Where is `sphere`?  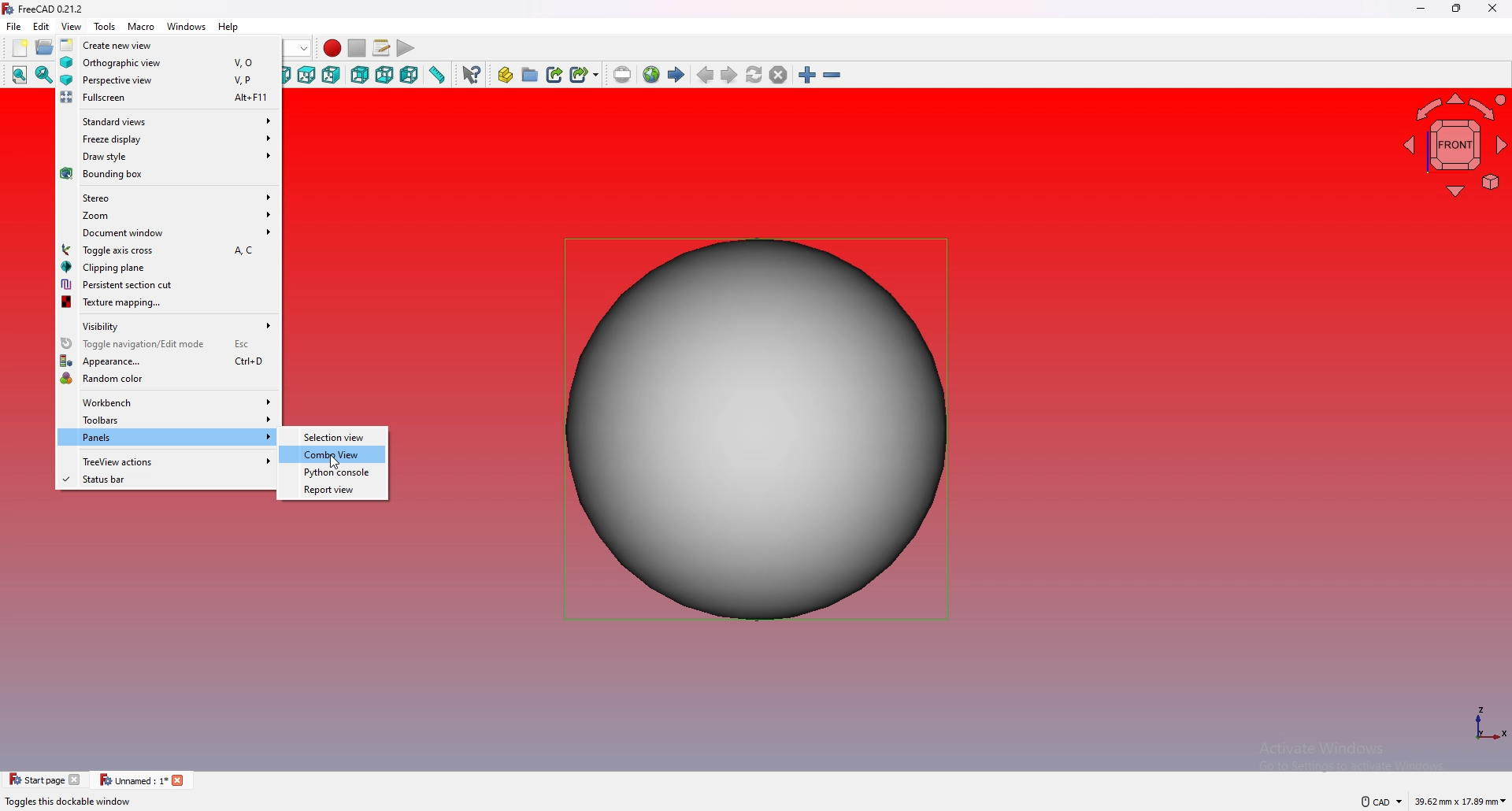
sphere is located at coordinates (758, 428).